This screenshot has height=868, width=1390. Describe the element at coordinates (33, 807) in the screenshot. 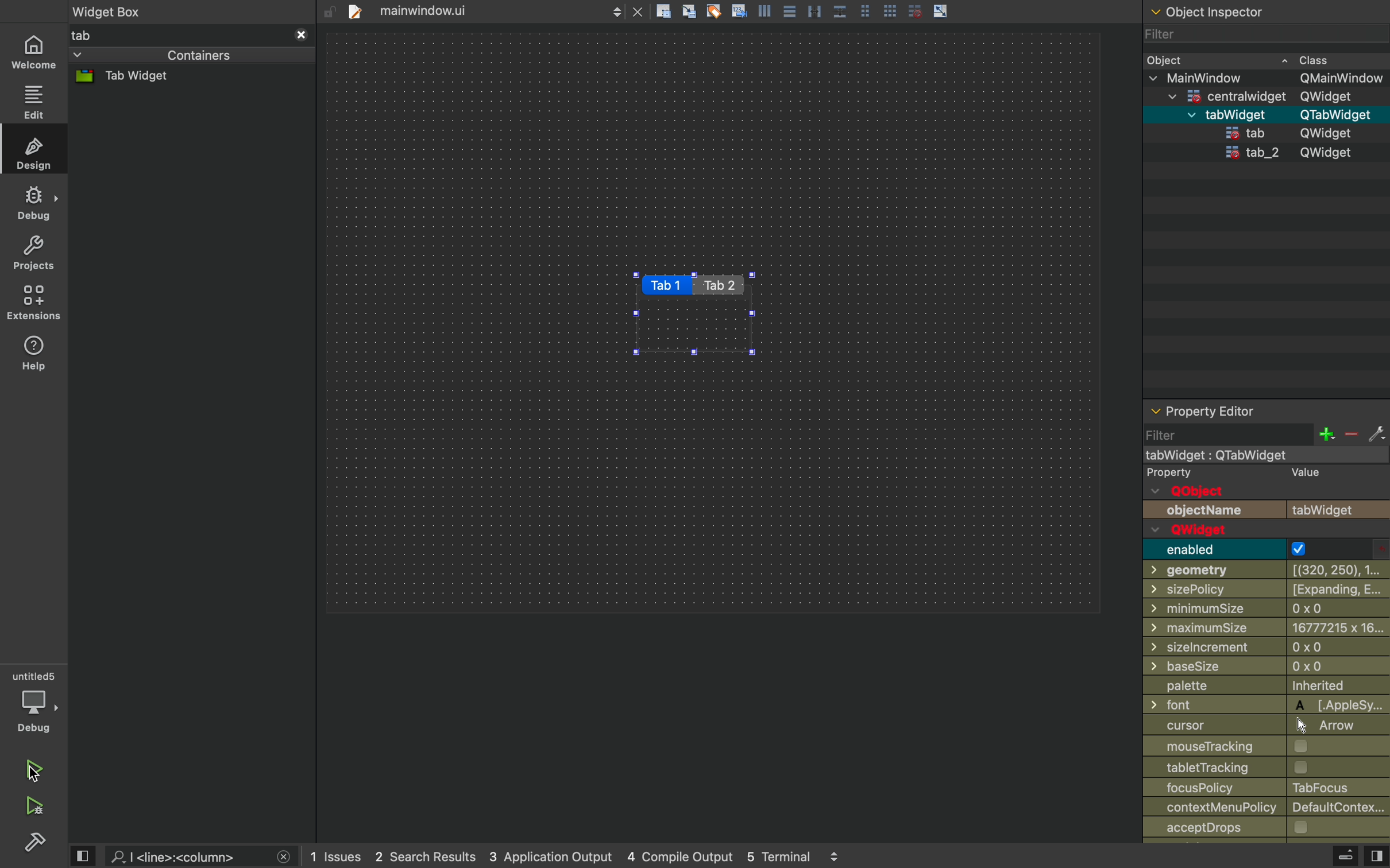

I see `run and debug` at that location.